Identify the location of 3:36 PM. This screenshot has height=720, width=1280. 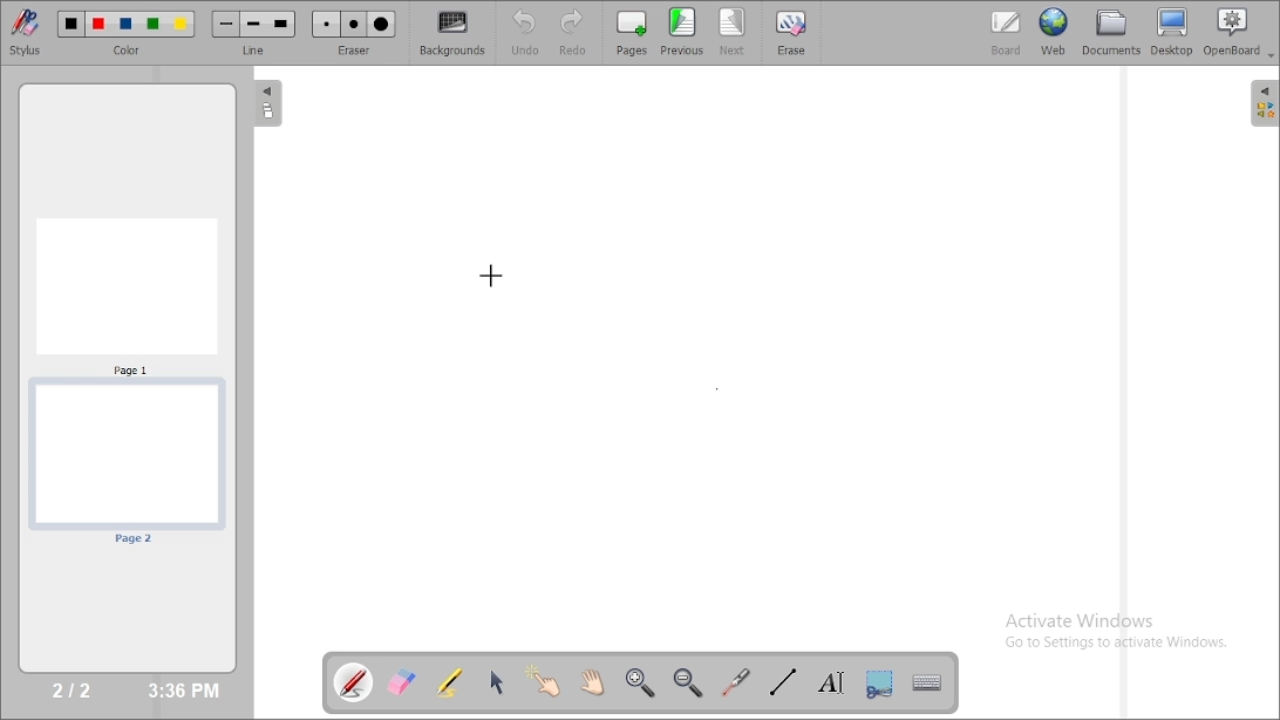
(182, 691).